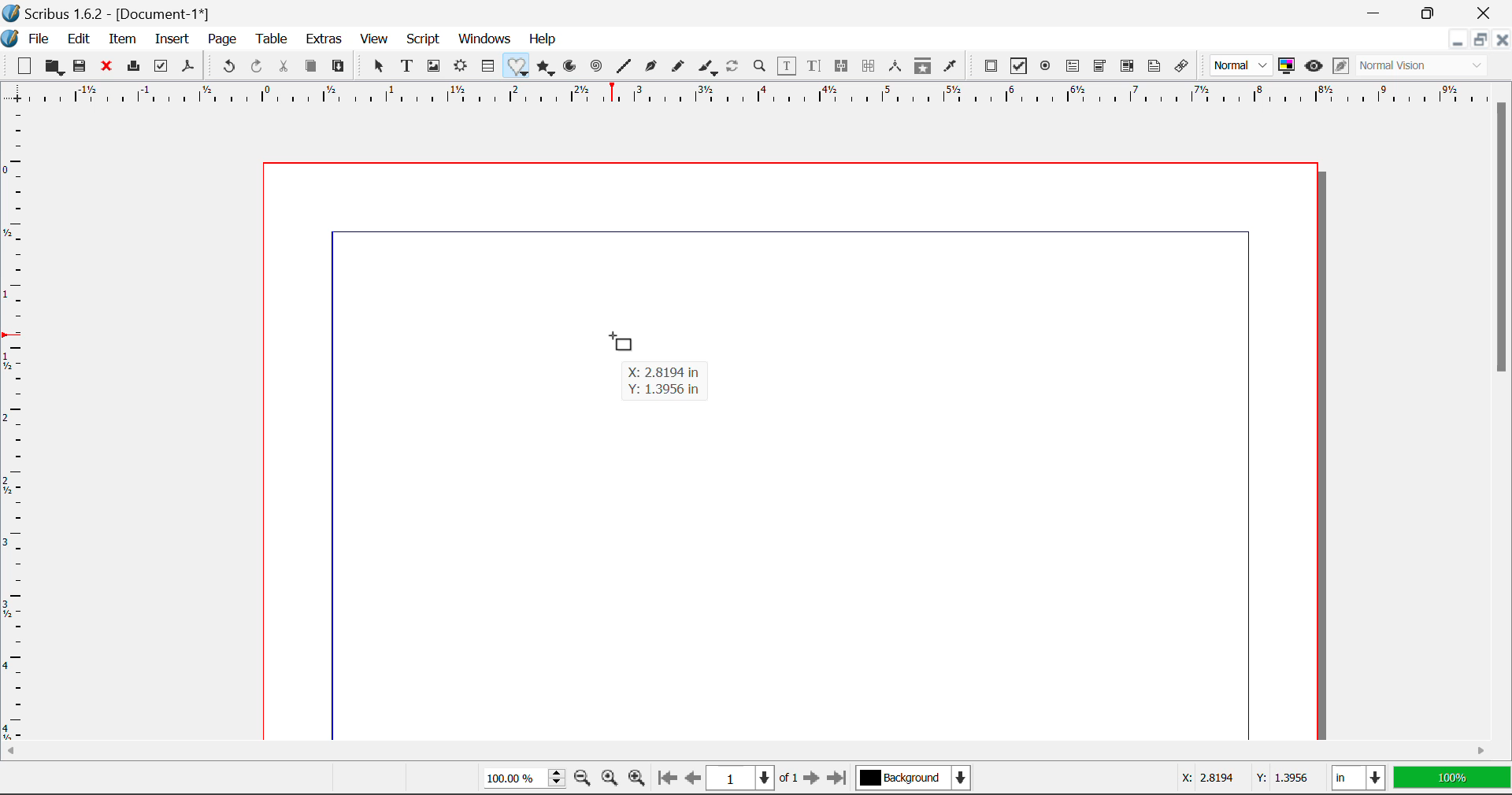 The image size is (1512, 795). I want to click on MOUSE_DOWN Position, so click(618, 340).